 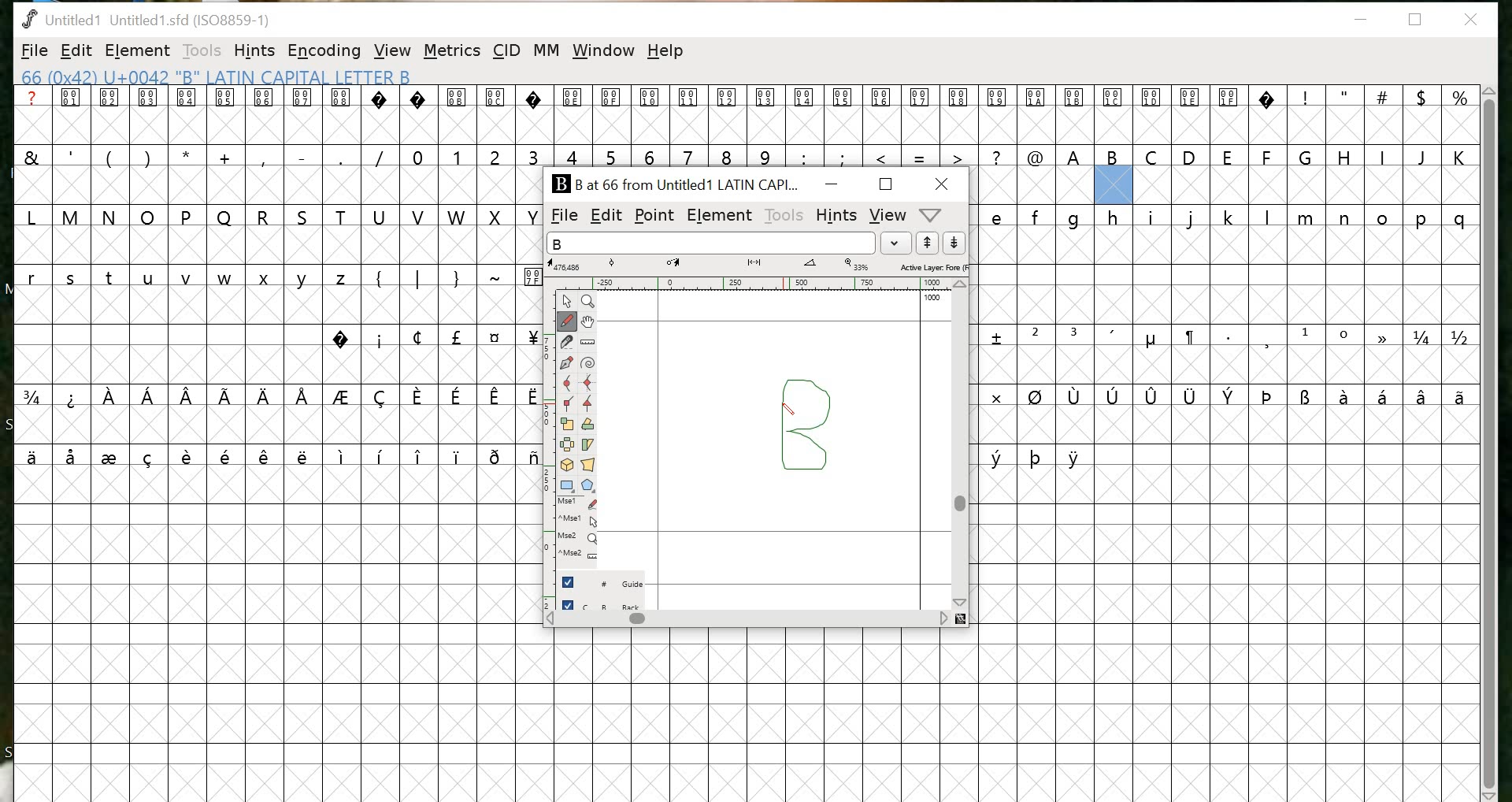 I want to click on Skew, so click(x=587, y=447).